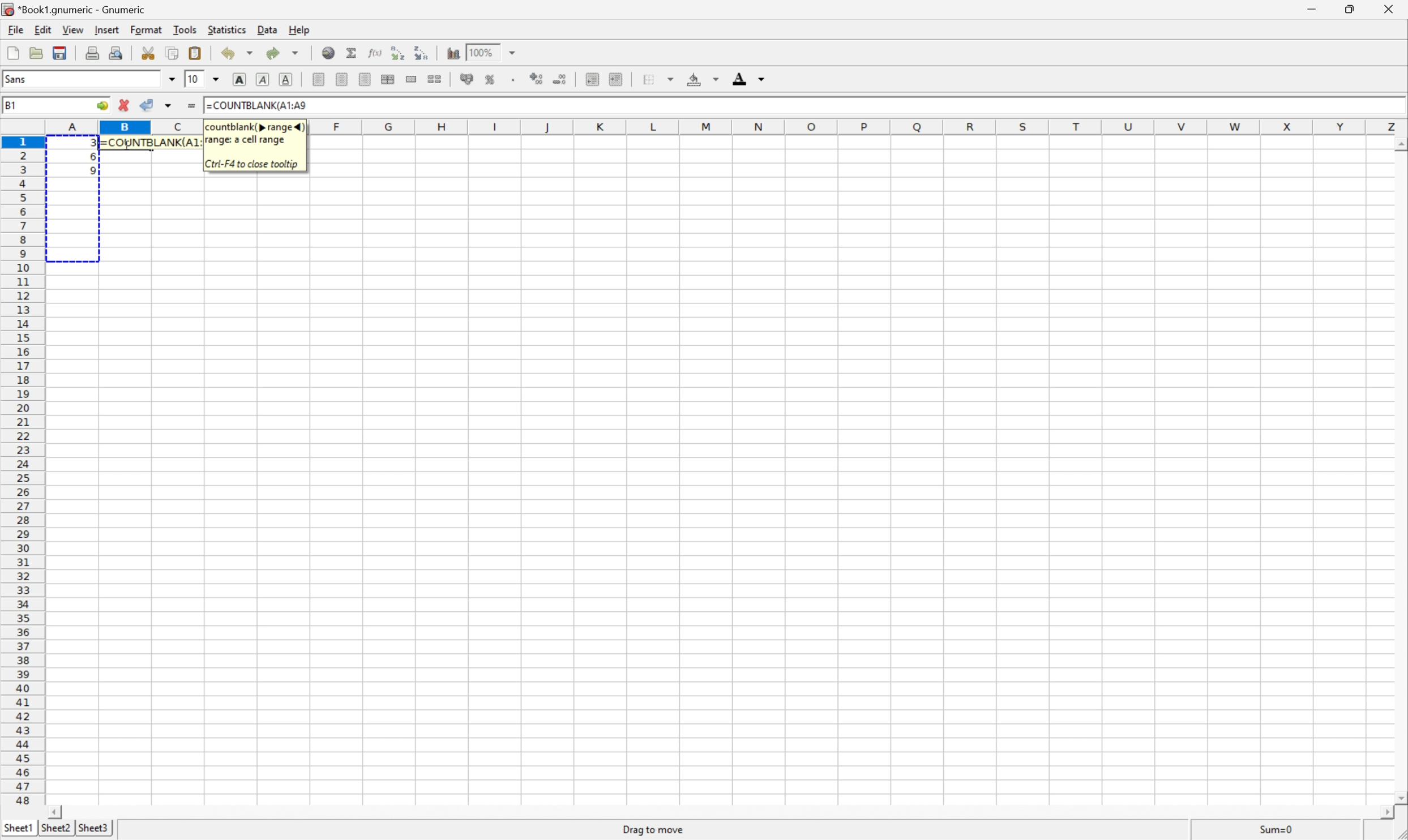 This screenshot has height=840, width=1408. What do you see at coordinates (513, 80) in the screenshot?
I see `Set the format of the selected cells to include a thousands separator` at bounding box center [513, 80].